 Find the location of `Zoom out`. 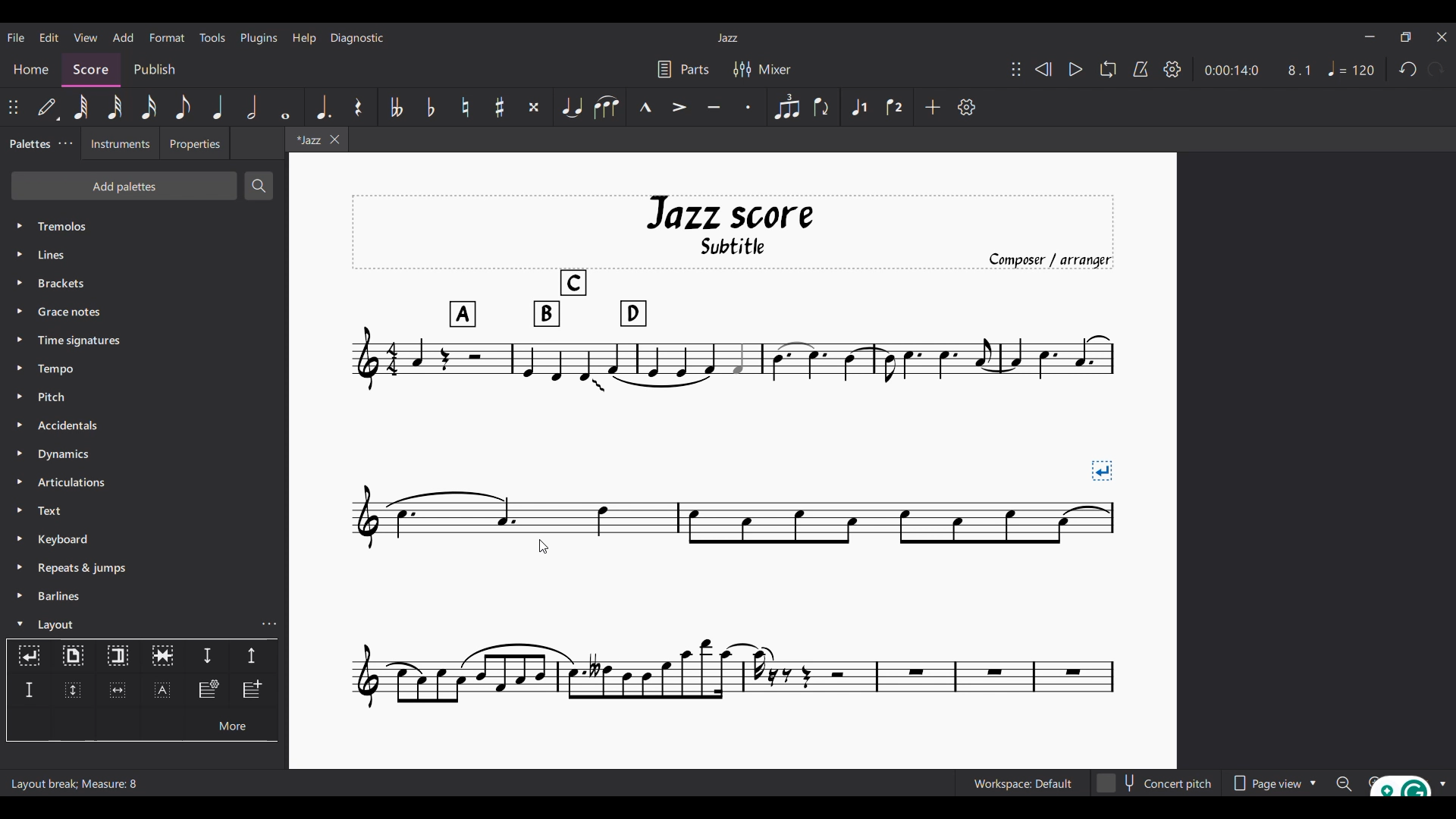

Zoom out is located at coordinates (1344, 783).